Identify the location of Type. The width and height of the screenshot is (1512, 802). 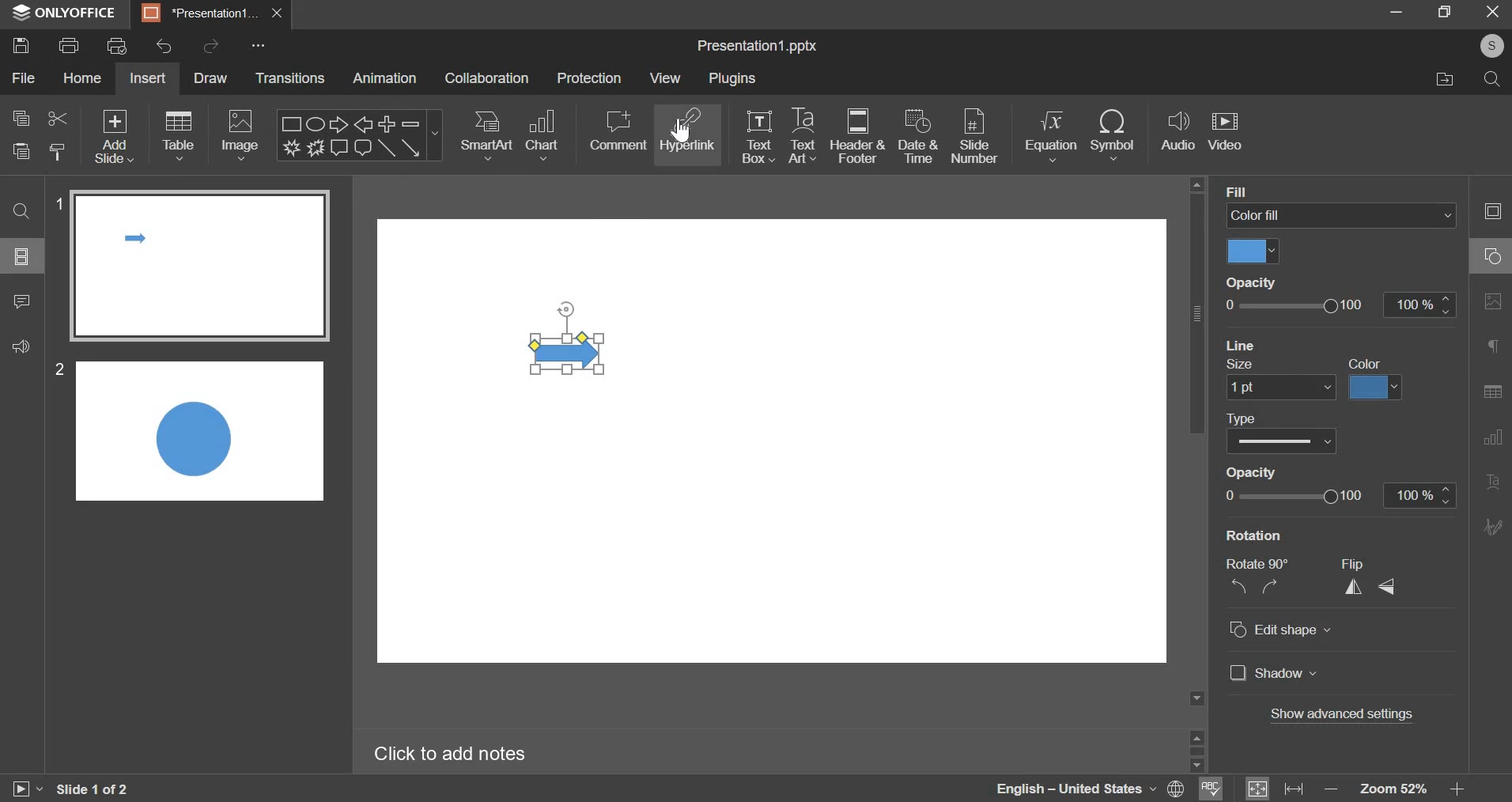
(1242, 419).